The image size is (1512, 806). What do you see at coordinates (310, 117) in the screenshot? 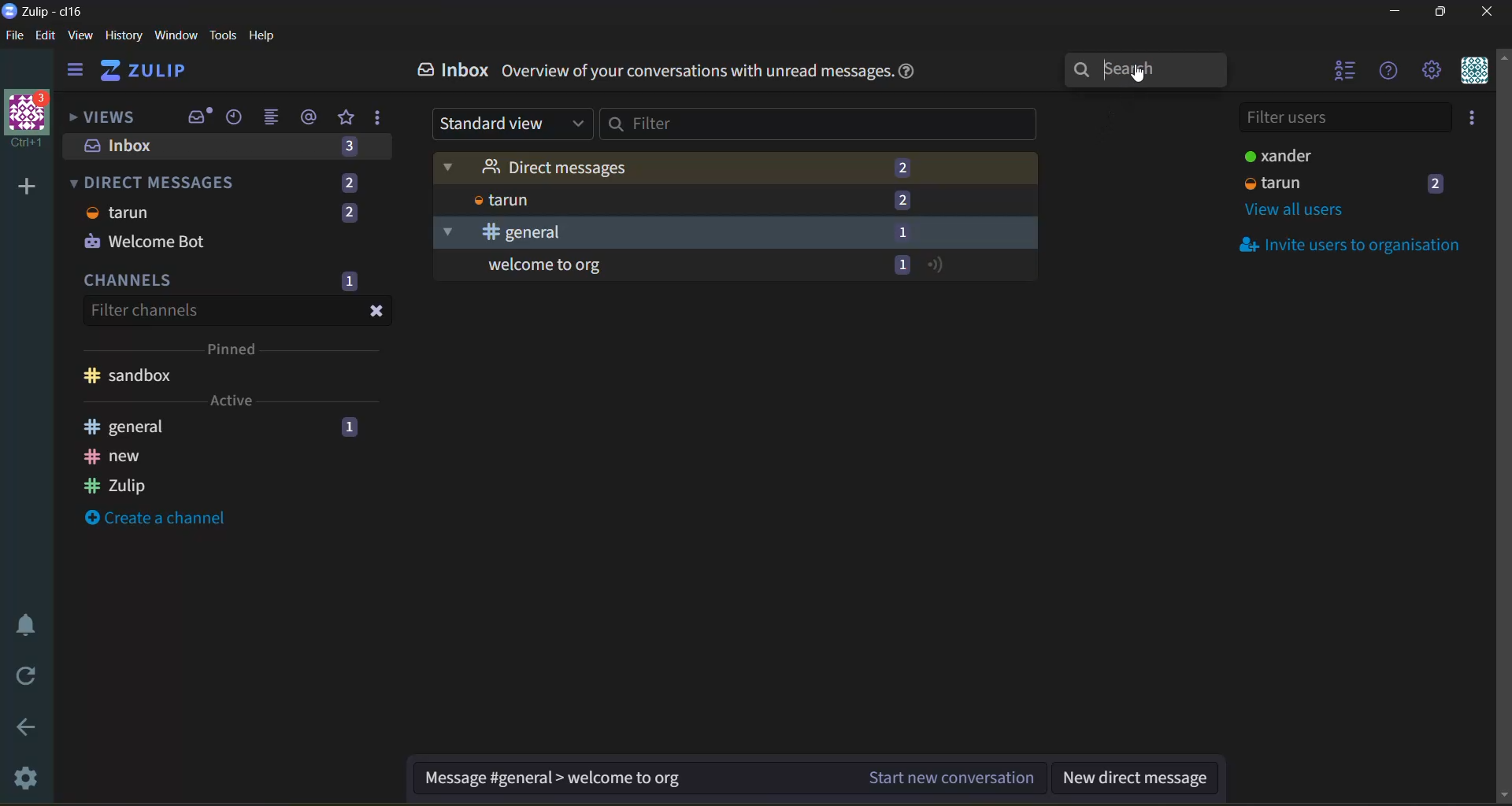
I see `mentions` at bounding box center [310, 117].